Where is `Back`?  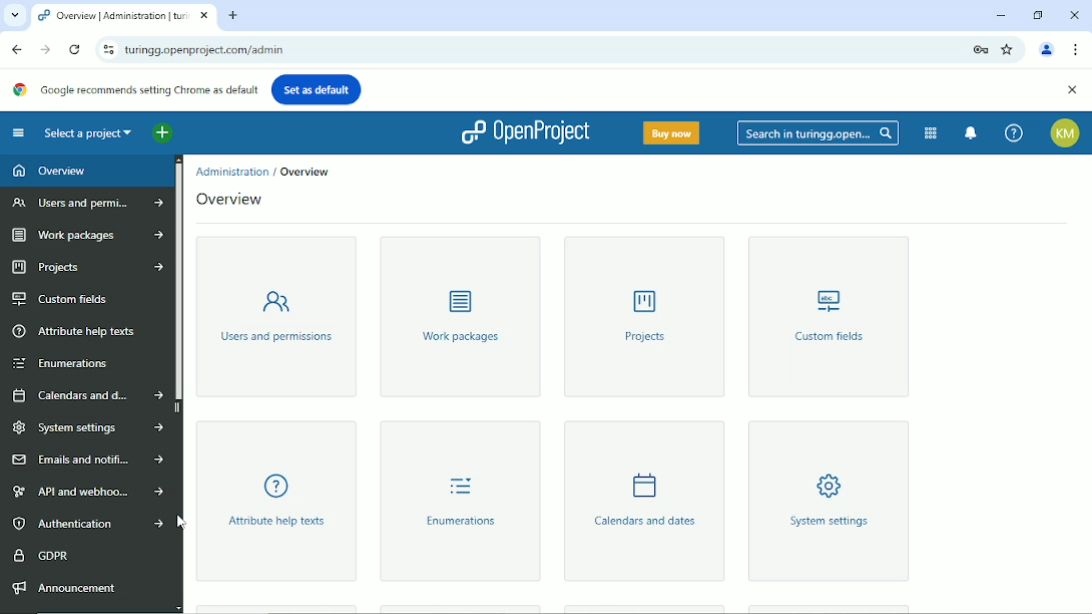
Back is located at coordinates (17, 48).